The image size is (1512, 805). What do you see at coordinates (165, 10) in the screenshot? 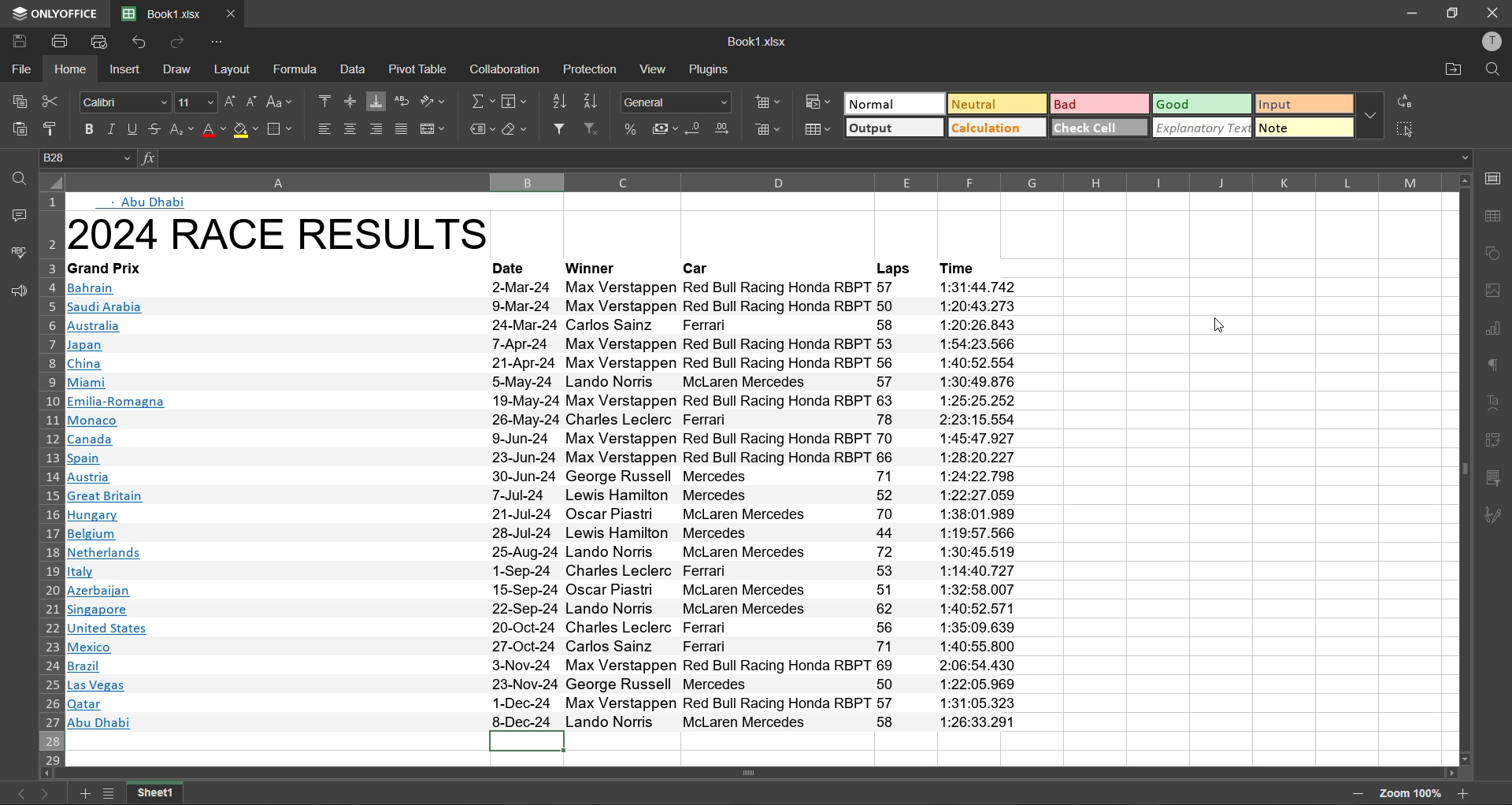
I see `file name: Book1.xlsx` at bounding box center [165, 10].